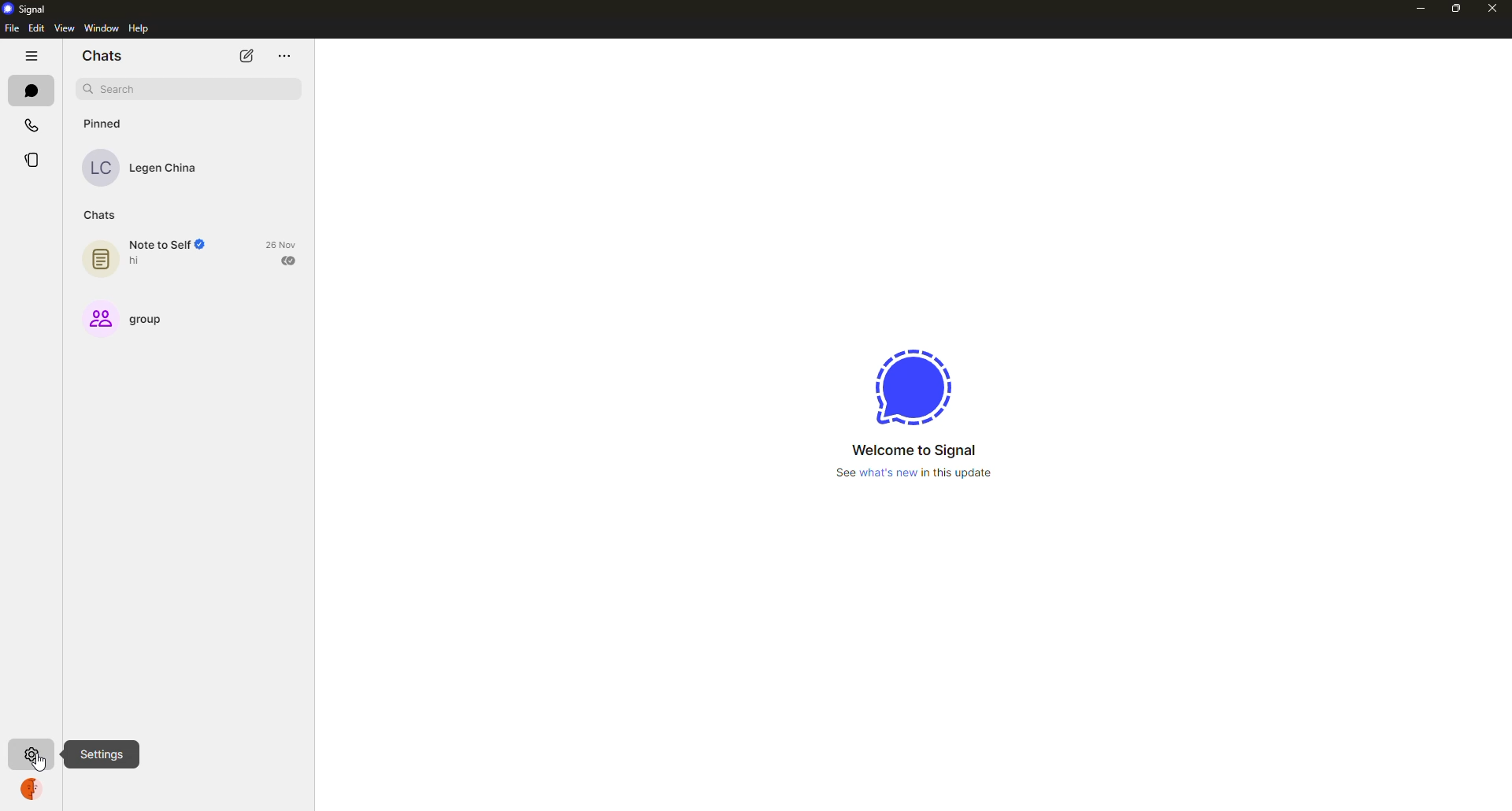 The height and width of the screenshot is (811, 1512). Describe the element at coordinates (1455, 9) in the screenshot. I see `maximize` at that location.